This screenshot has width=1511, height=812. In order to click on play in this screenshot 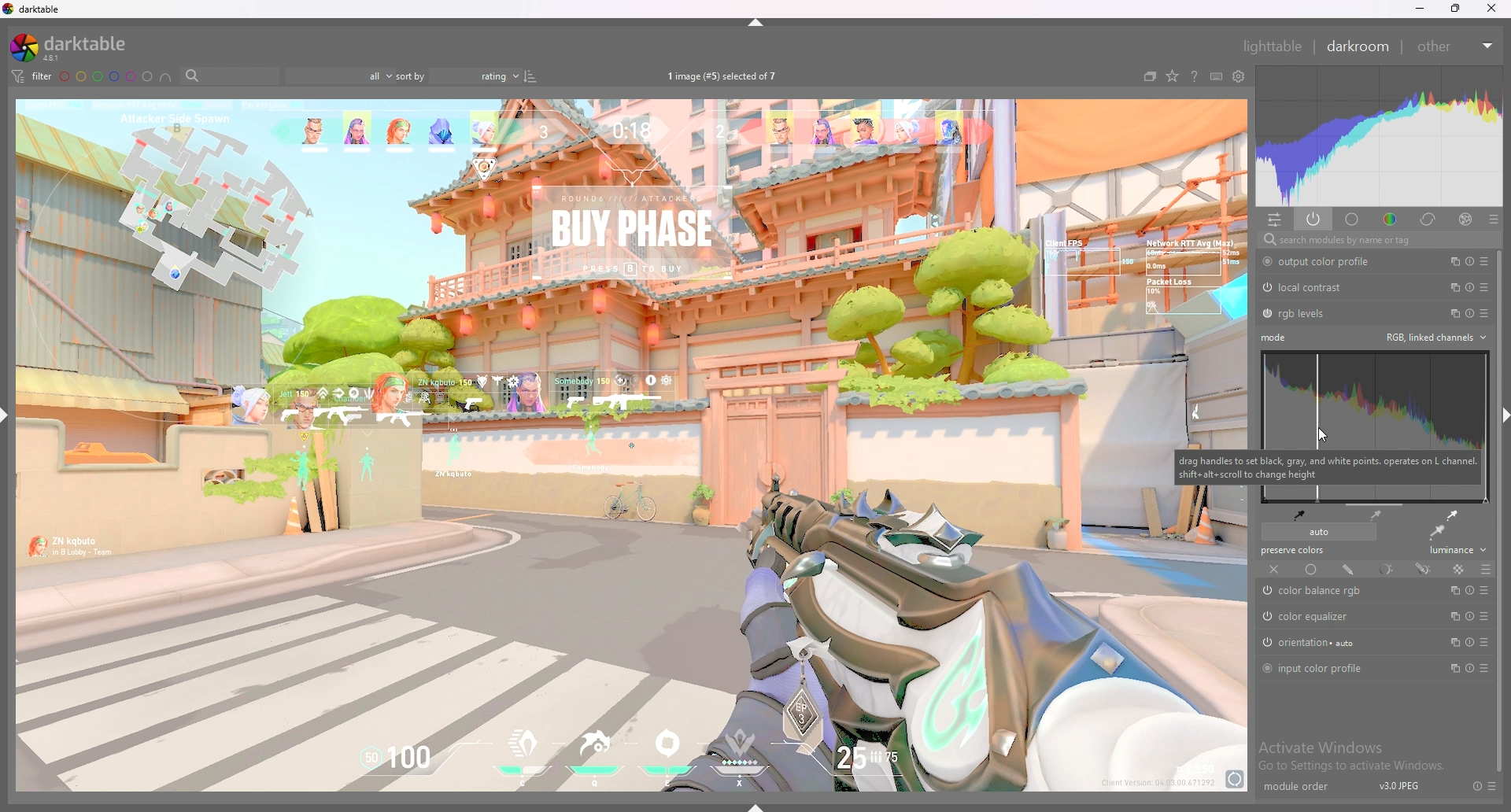, I will do `click(1470, 616)`.